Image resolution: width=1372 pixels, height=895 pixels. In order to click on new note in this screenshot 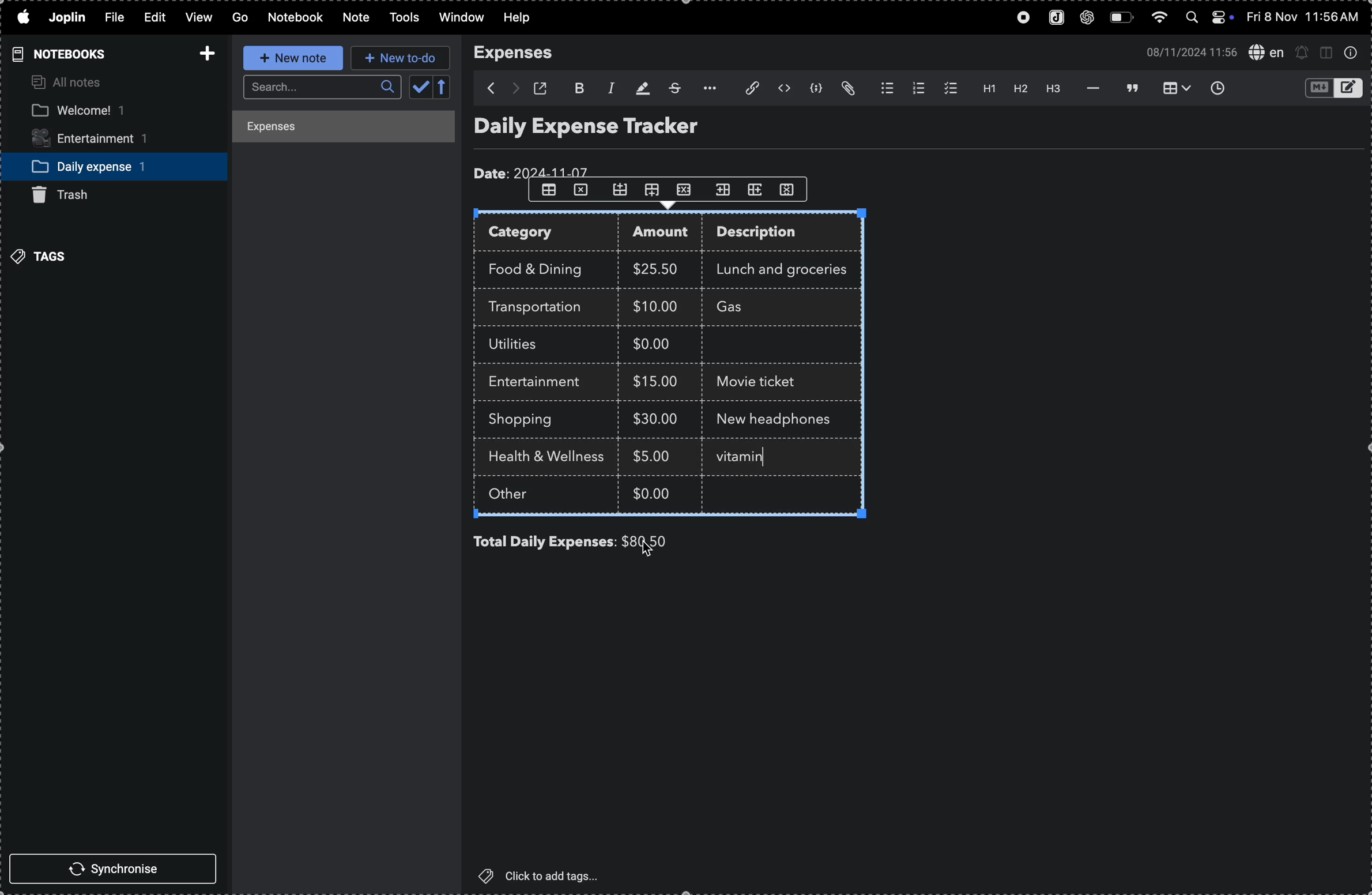, I will do `click(289, 58)`.